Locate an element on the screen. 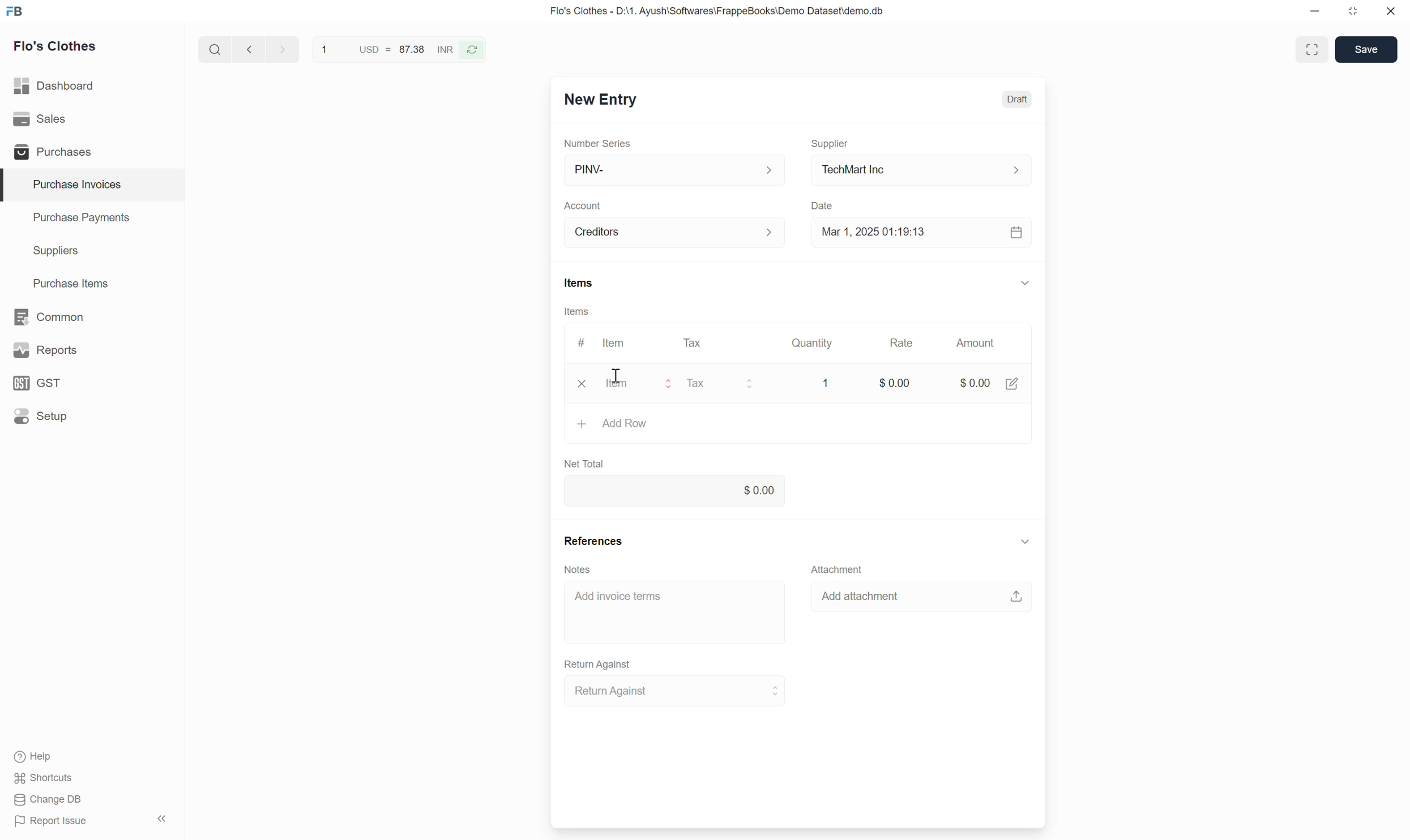 The image size is (1410, 840). Quantity is located at coordinates (815, 343).